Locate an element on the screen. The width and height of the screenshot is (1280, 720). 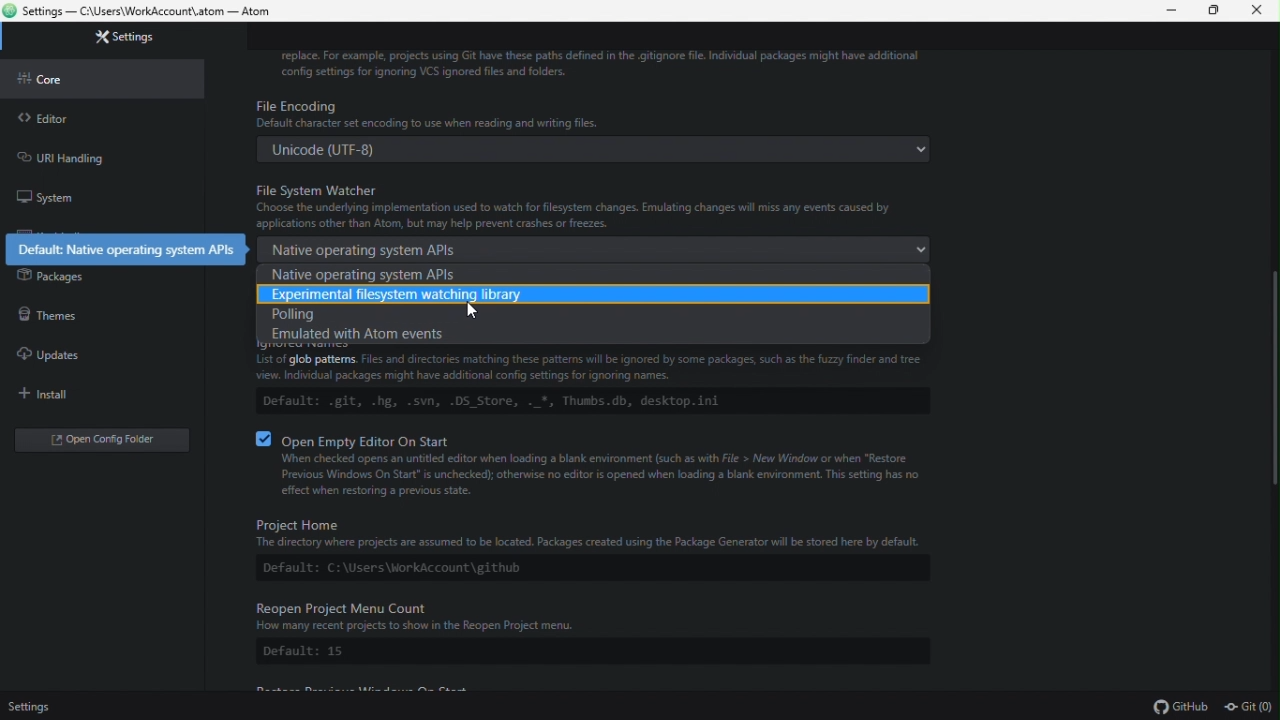
Close is located at coordinates (1261, 11).